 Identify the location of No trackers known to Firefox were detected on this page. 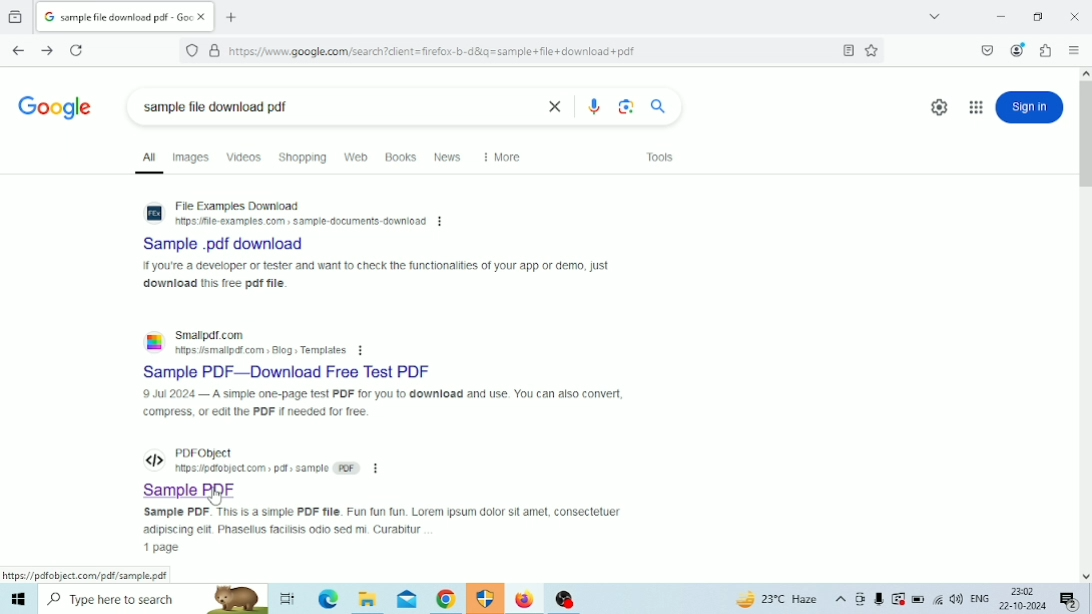
(192, 51).